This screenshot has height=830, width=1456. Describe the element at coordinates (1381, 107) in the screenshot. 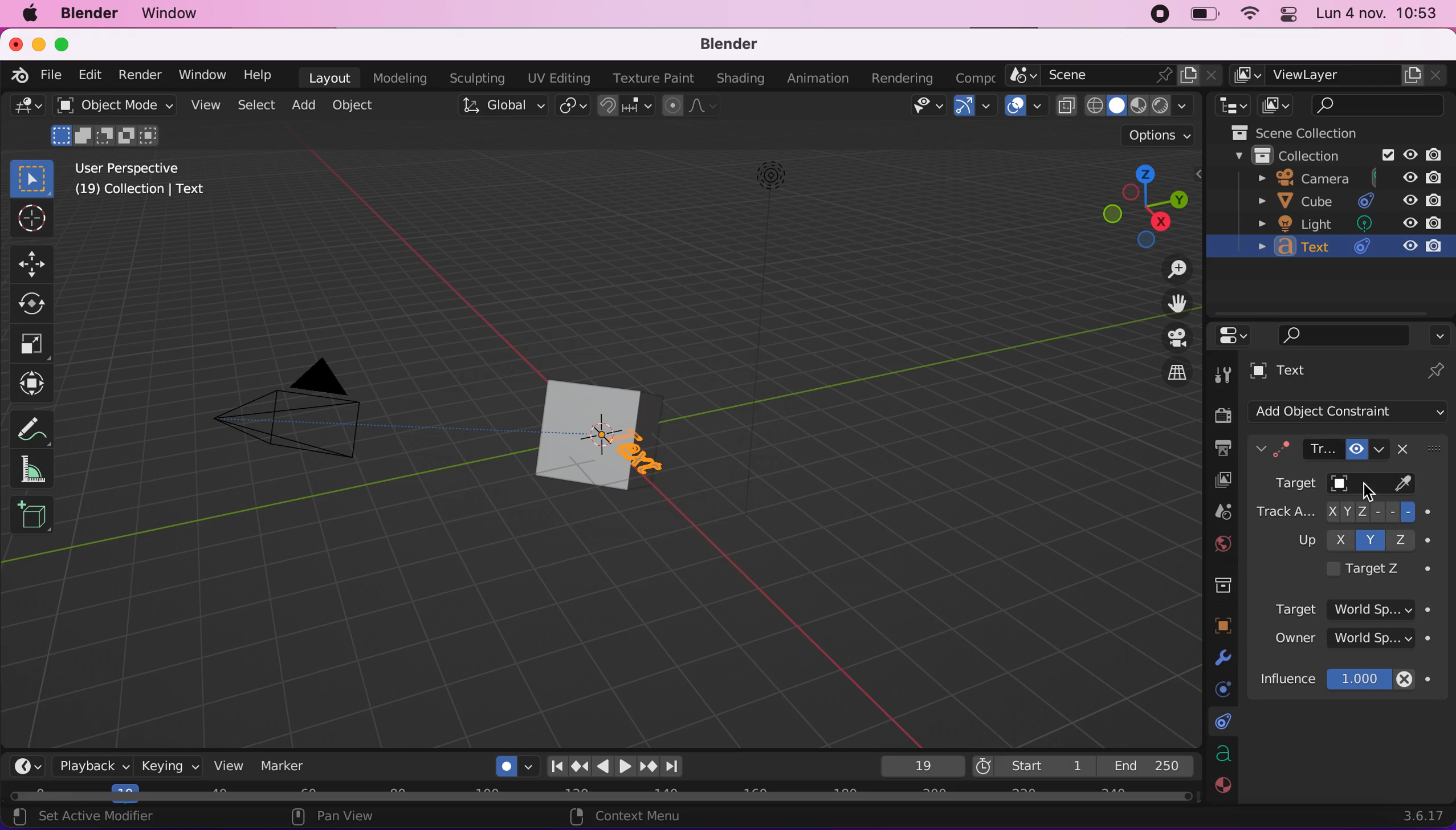

I see `search` at that location.